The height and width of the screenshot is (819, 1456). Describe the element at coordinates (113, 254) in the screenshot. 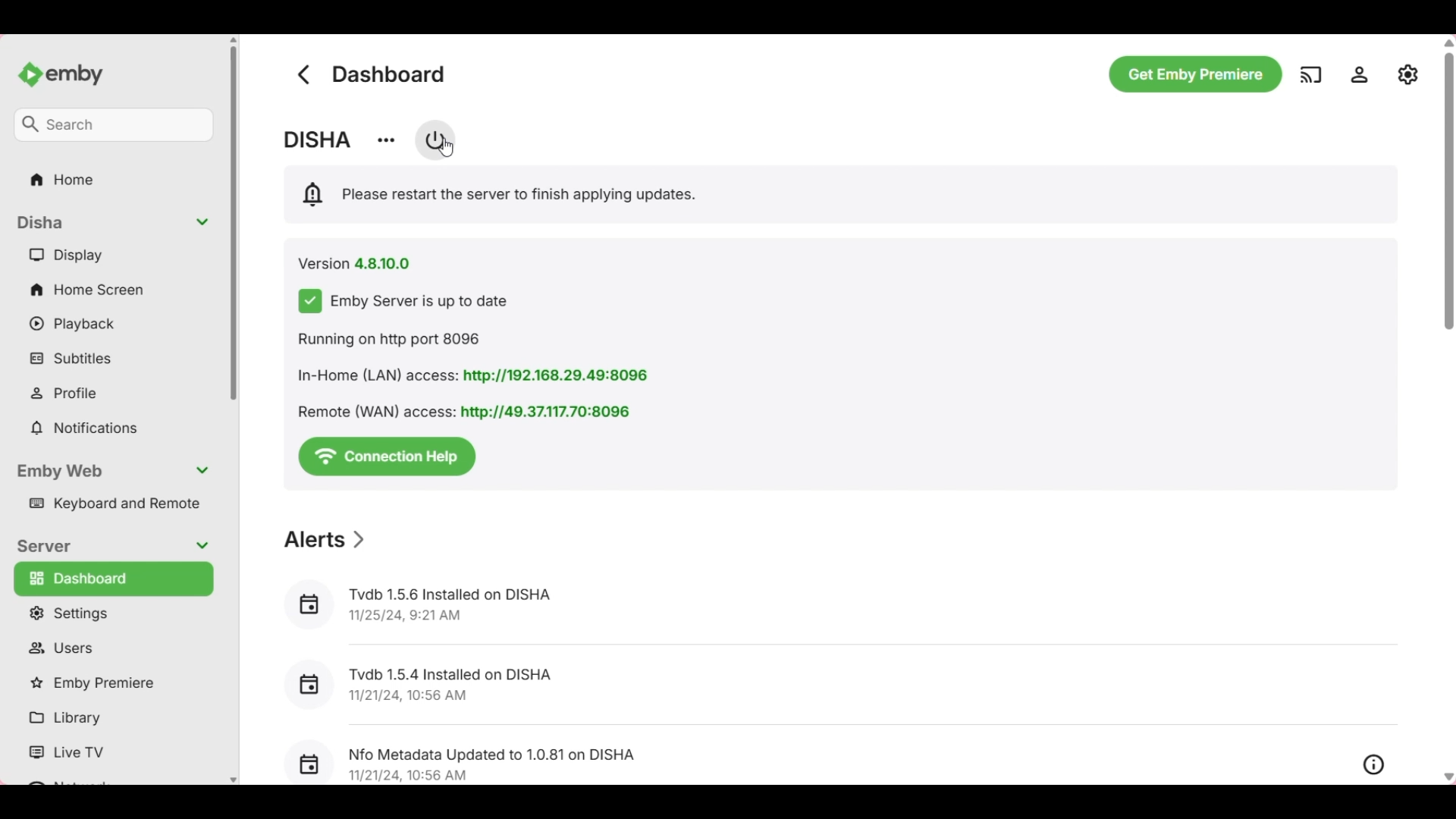

I see `Display` at that location.